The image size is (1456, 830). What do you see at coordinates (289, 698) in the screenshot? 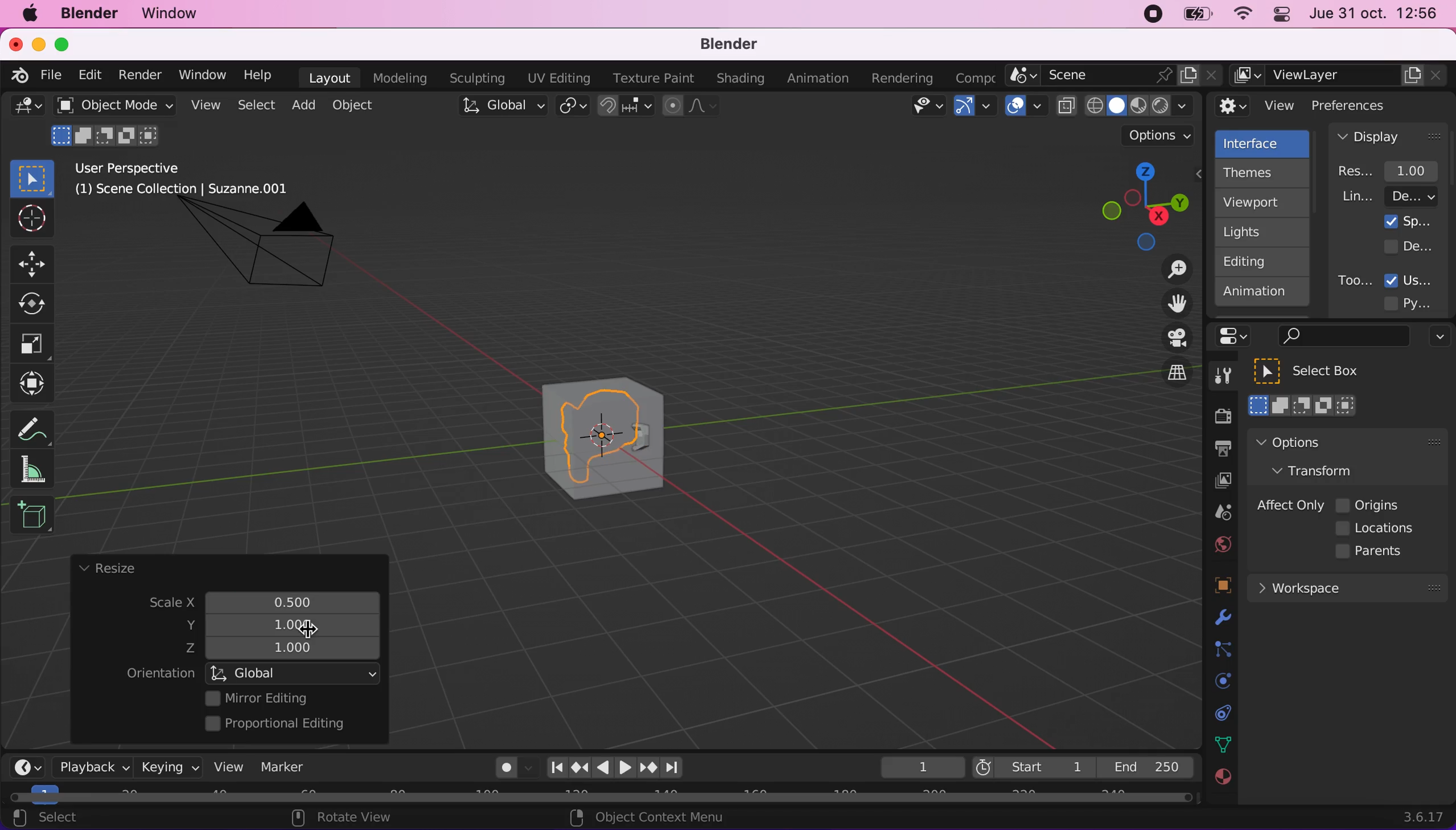
I see `mirror editing` at bounding box center [289, 698].